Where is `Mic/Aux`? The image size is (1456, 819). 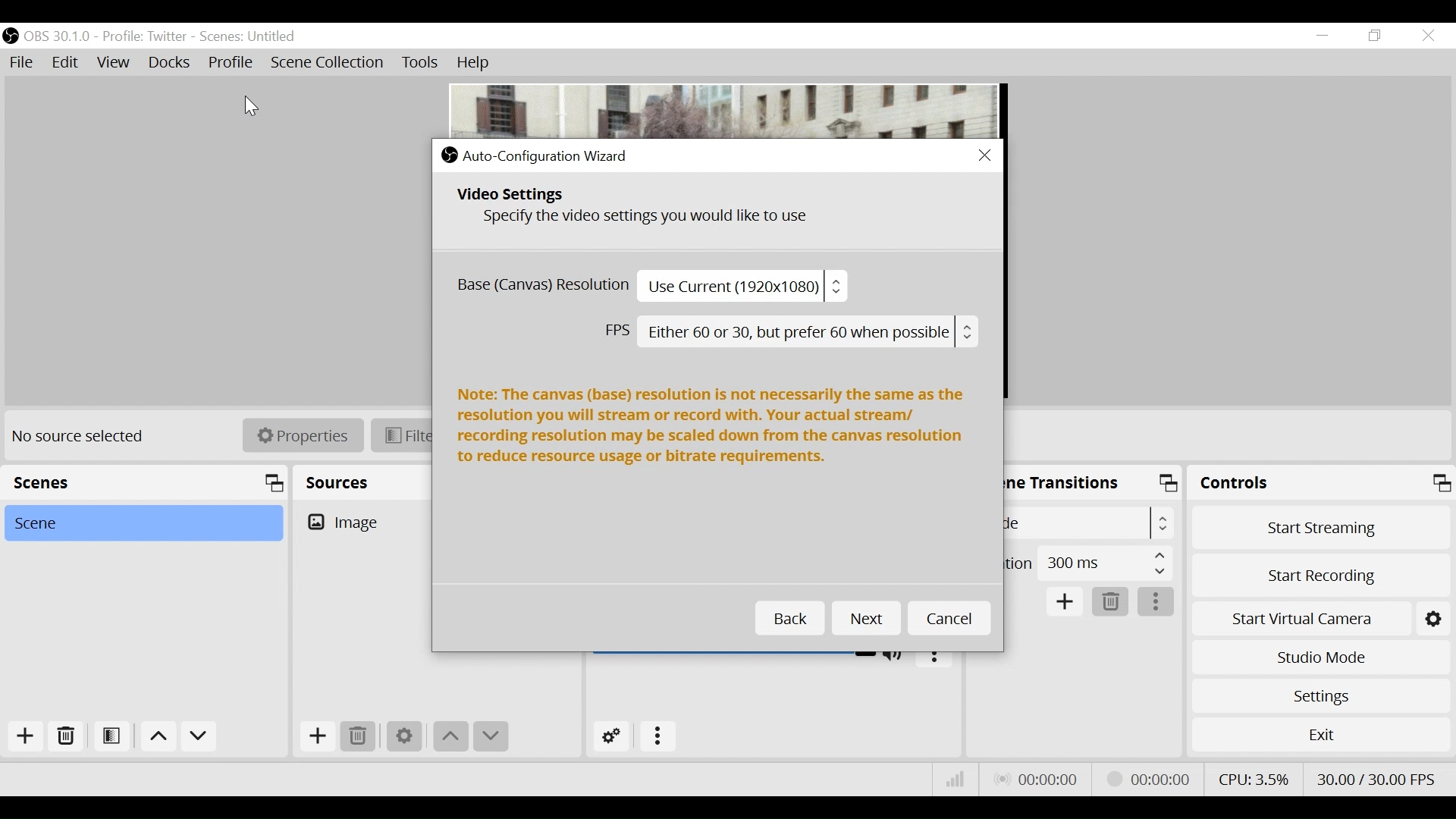
Mic/Aux is located at coordinates (733, 651).